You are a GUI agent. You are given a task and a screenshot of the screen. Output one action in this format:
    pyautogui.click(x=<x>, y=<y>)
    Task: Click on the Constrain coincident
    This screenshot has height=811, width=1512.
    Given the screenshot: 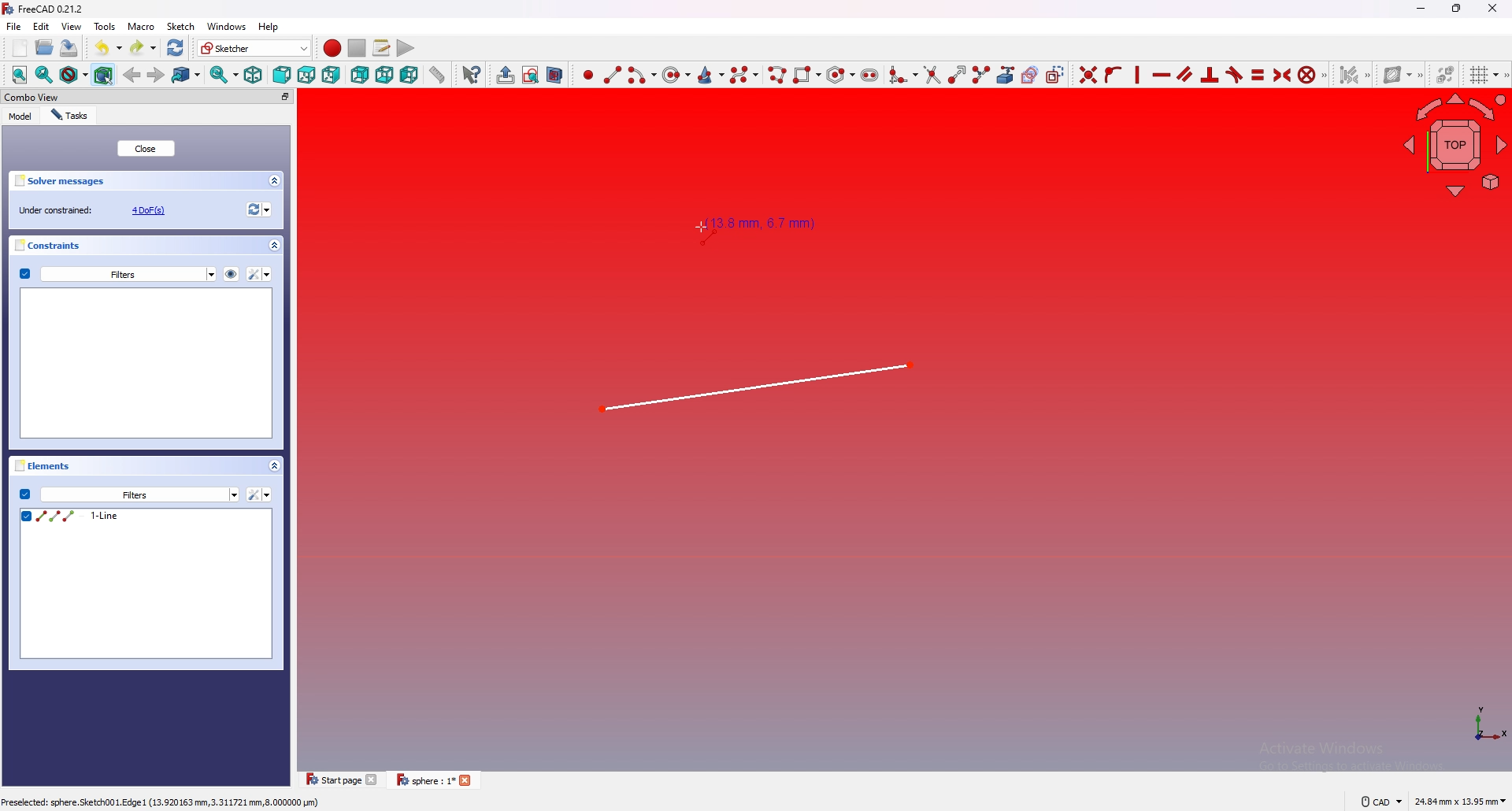 What is the action you would take?
    pyautogui.click(x=1085, y=74)
    